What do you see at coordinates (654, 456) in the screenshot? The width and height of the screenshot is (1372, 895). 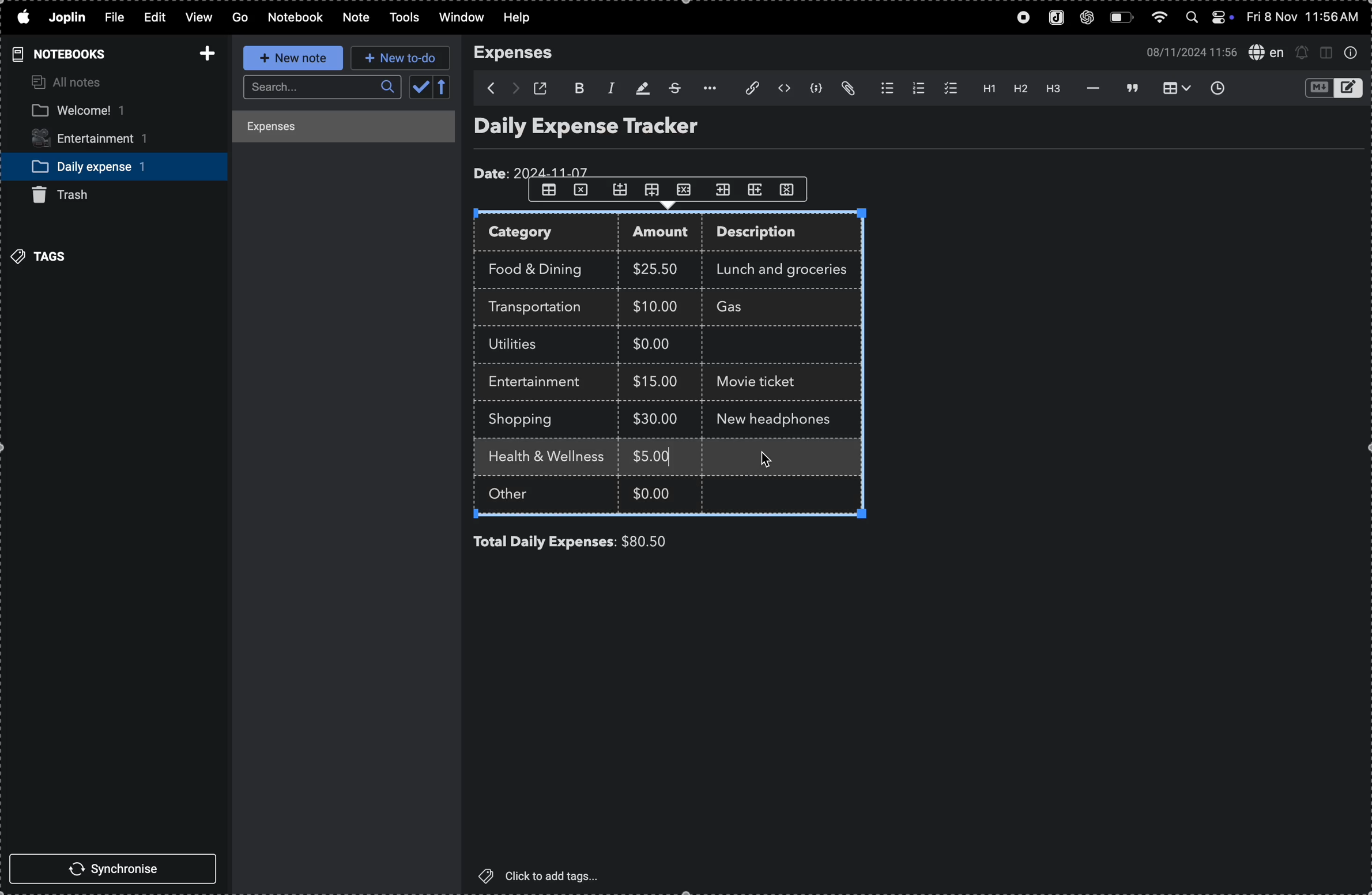 I see `$5.00` at bounding box center [654, 456].